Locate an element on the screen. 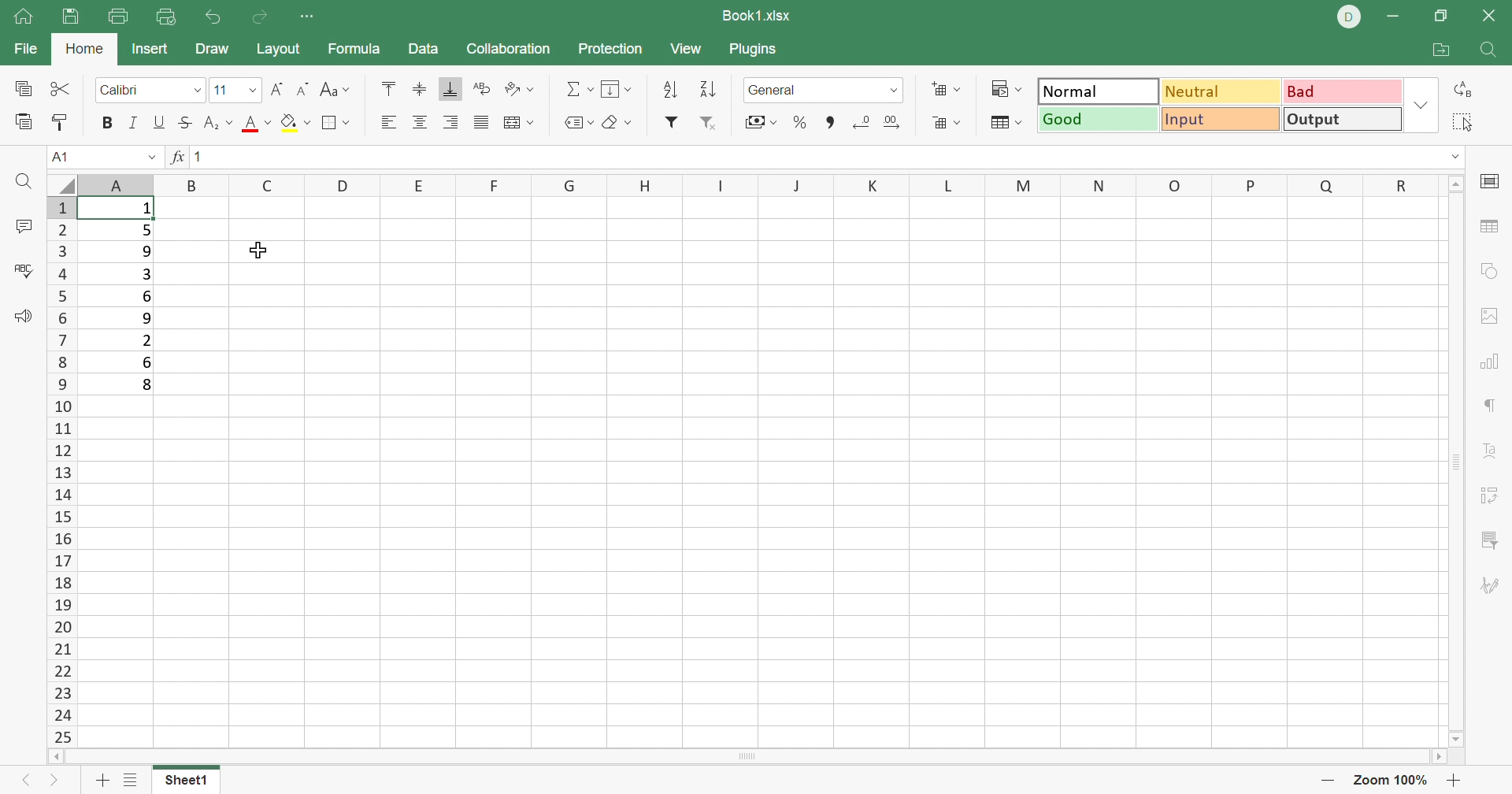  3 is located at coordinates (144, 276).